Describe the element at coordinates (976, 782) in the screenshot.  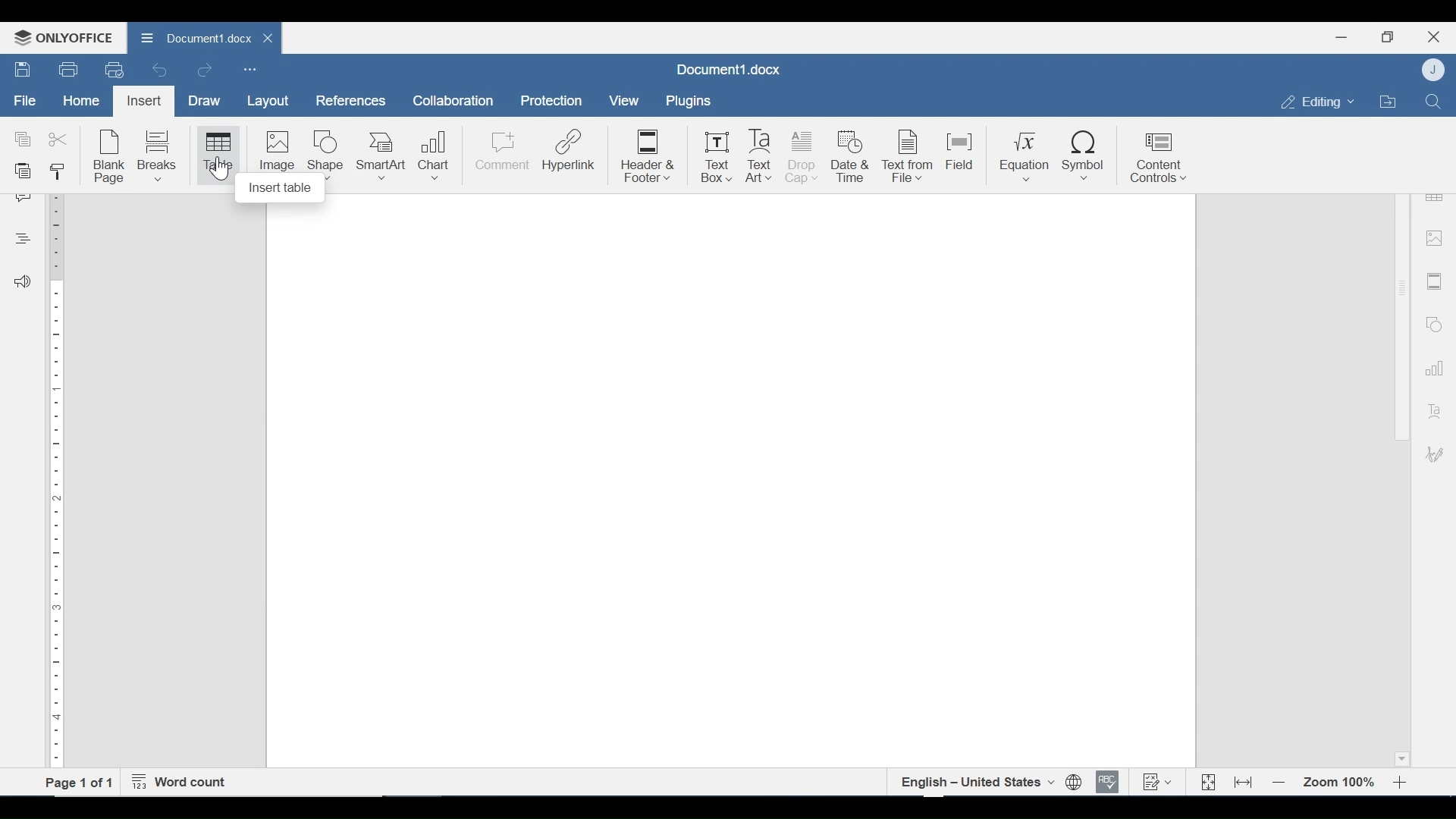
I see `English- united states` at that location.